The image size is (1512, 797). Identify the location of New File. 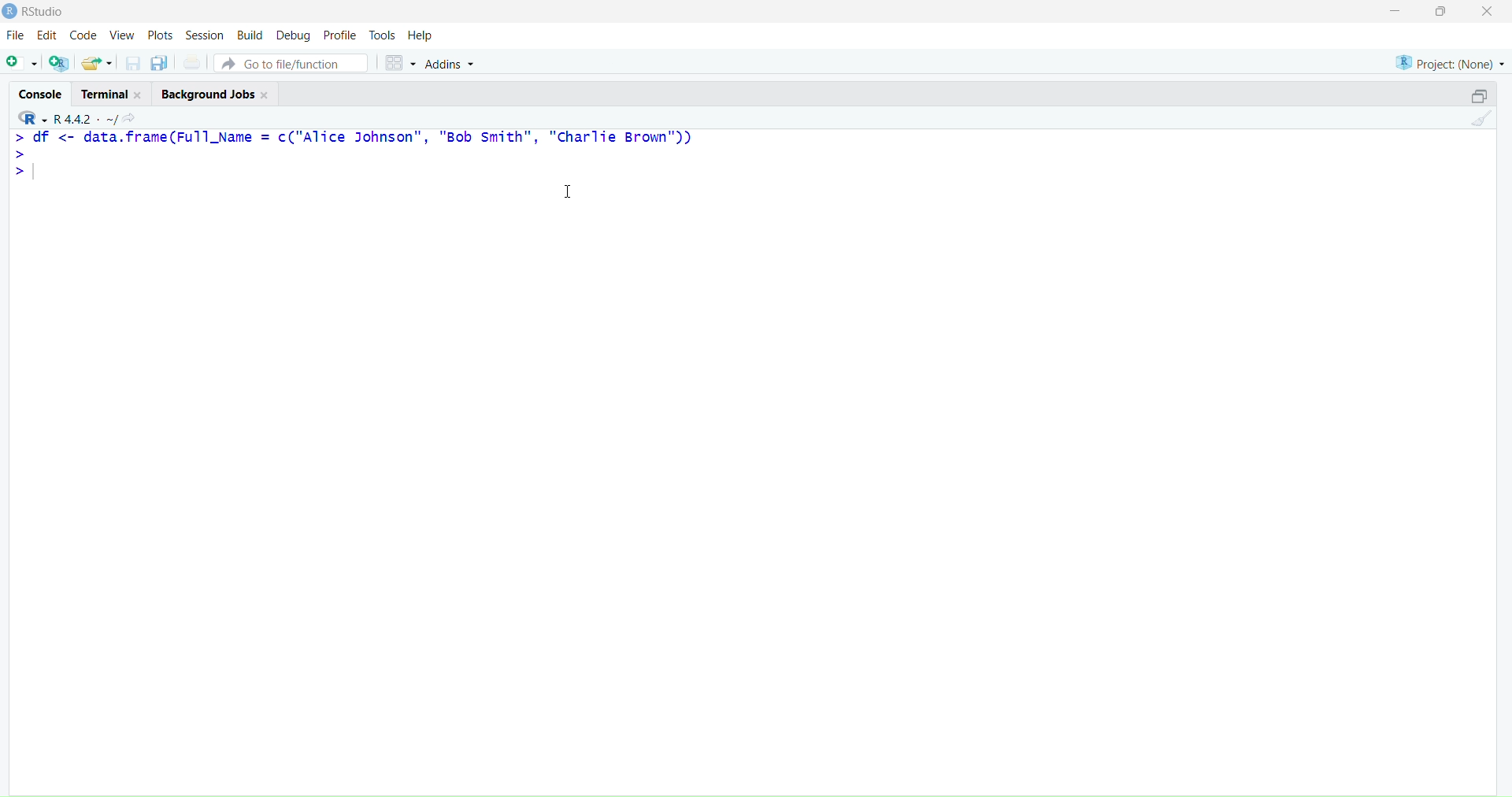
(20, 62).